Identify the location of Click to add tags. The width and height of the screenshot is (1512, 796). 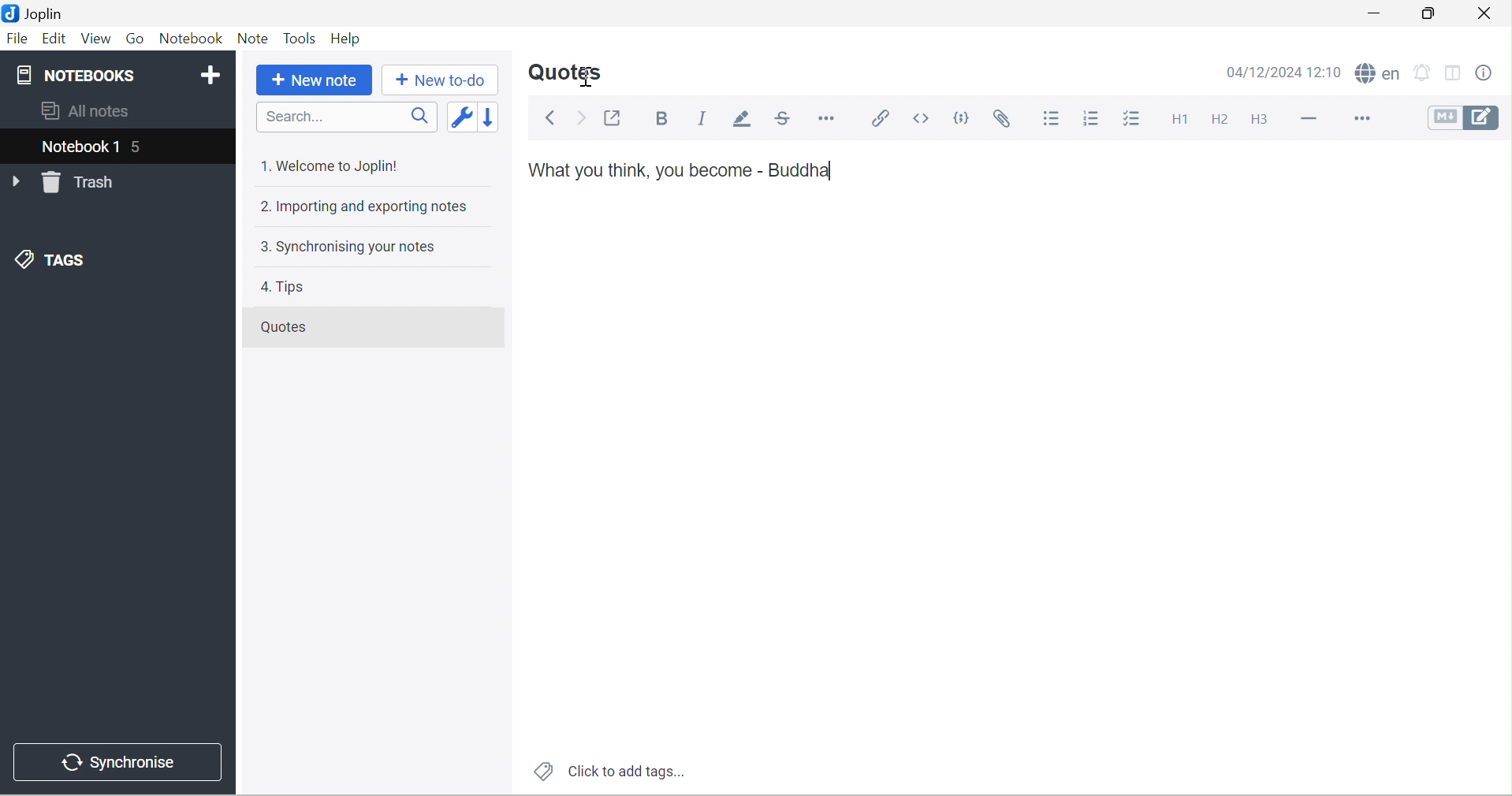
(612, 770).